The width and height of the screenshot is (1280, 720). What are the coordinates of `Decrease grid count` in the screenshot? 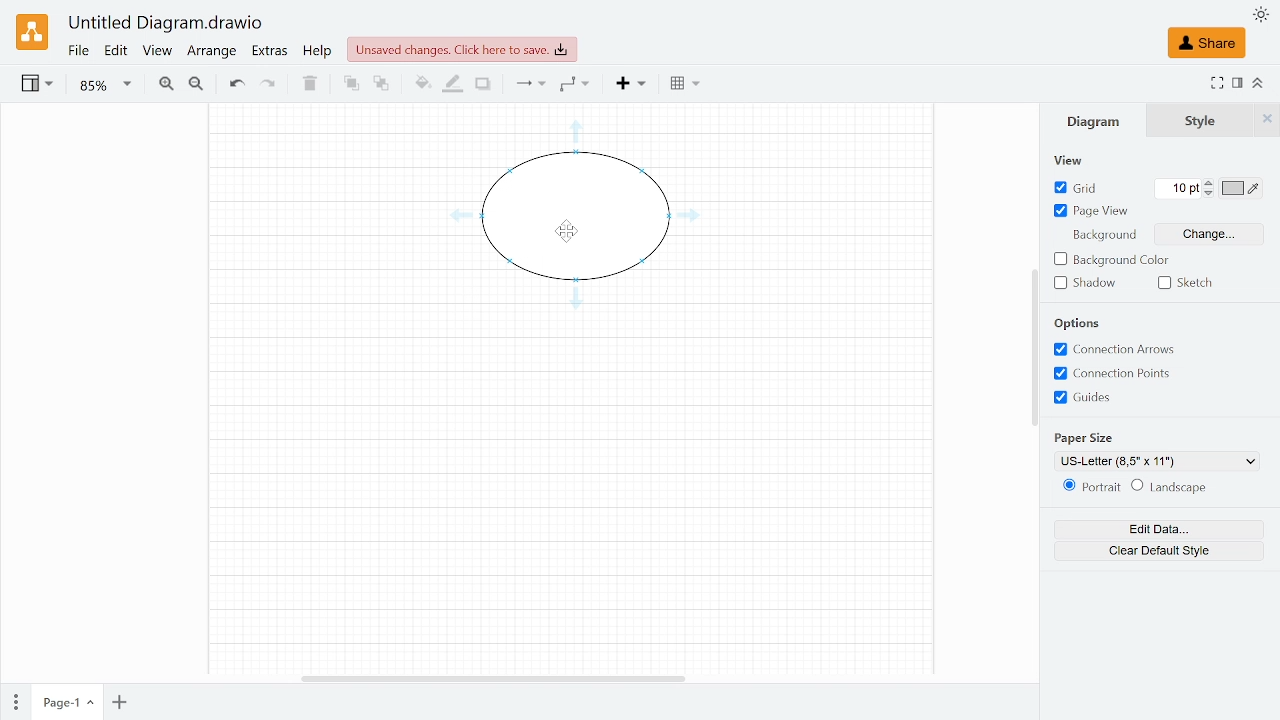 It's located at (1210, 195).